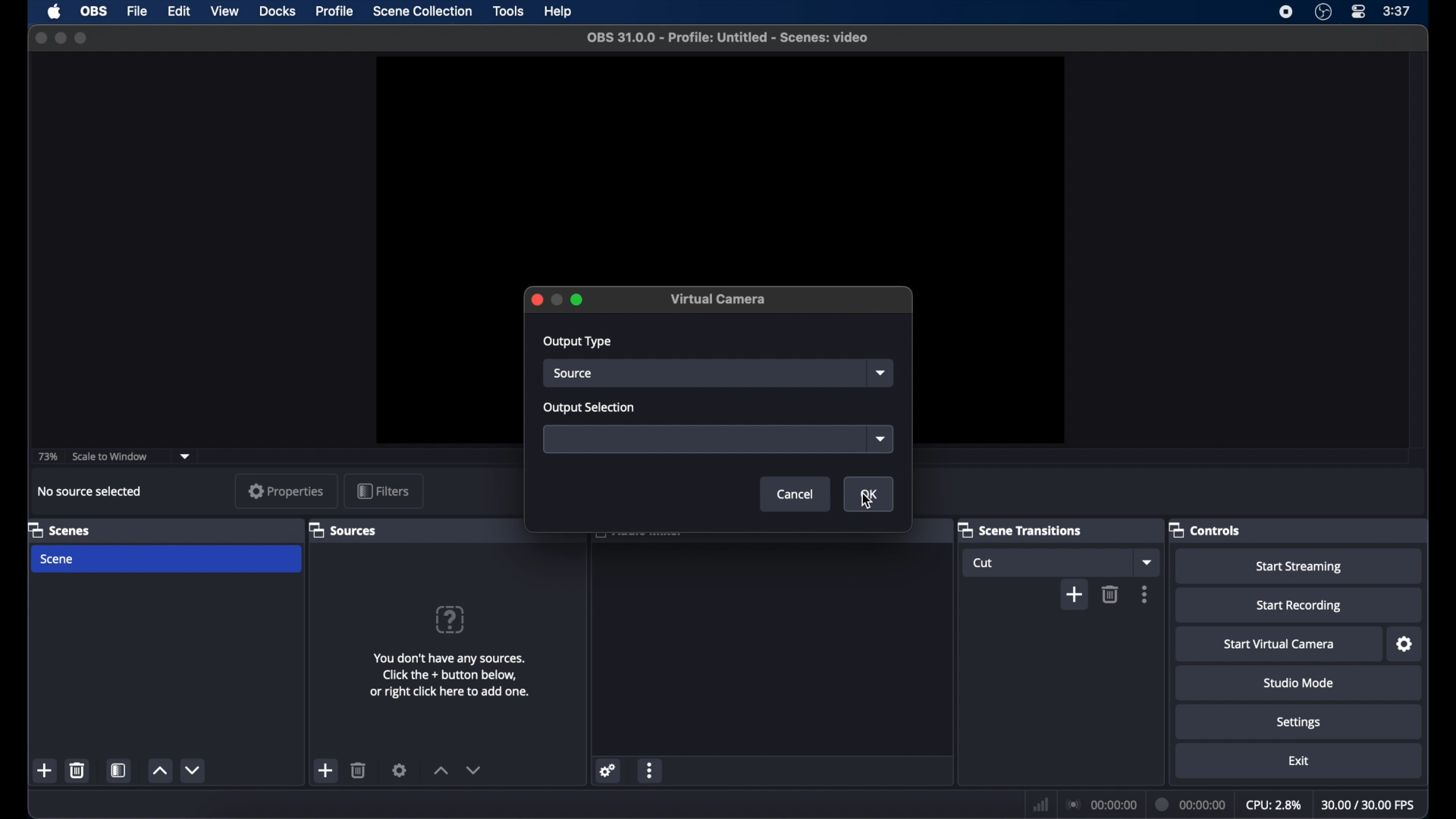 Image resolution: width=1456 pixels, height=819 pixels. Describe the element at coordinates (719, 299) in the screenshot. I see `virtual camera` at that location.